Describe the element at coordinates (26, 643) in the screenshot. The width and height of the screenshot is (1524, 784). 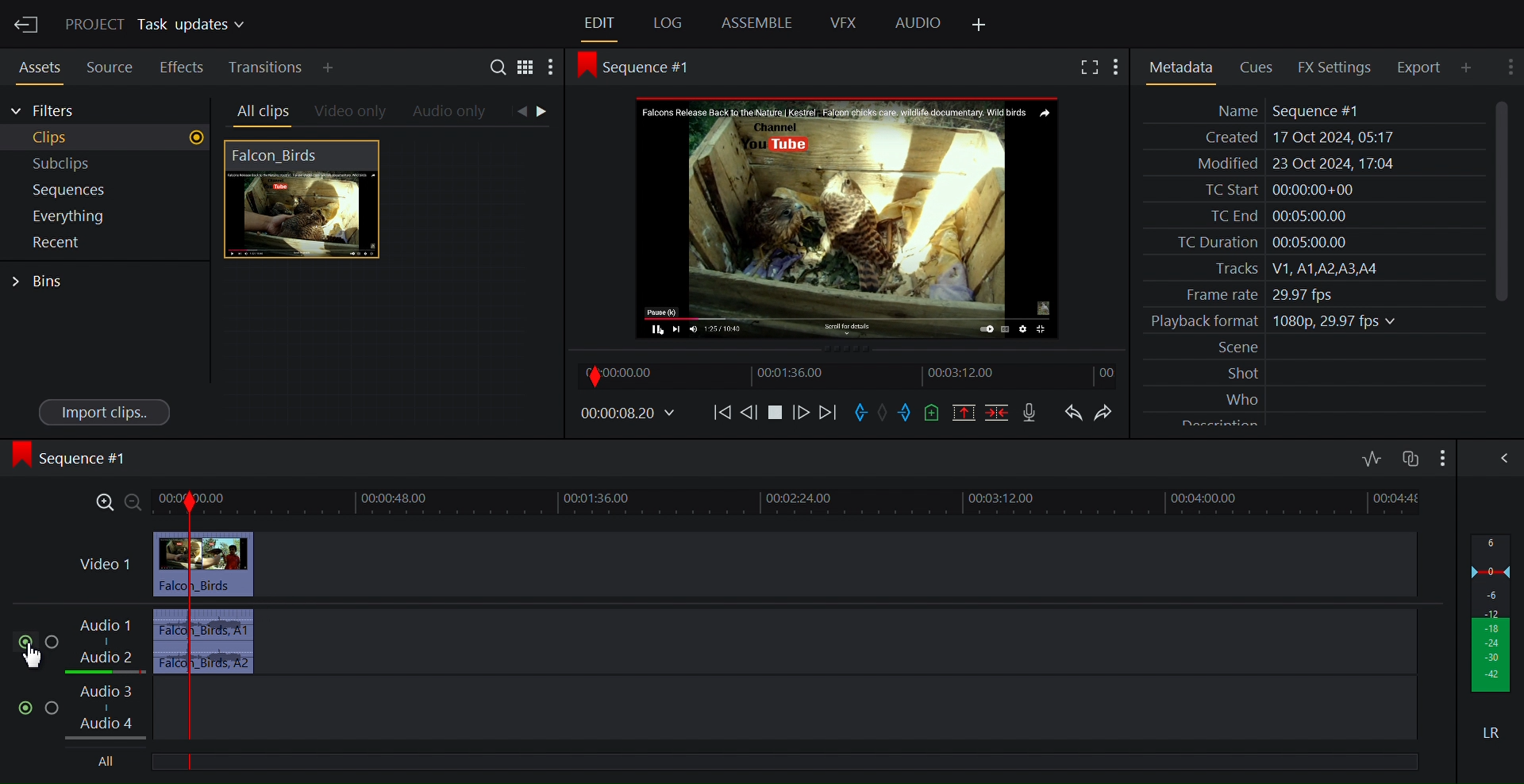
I see `(un)mute` at that location.